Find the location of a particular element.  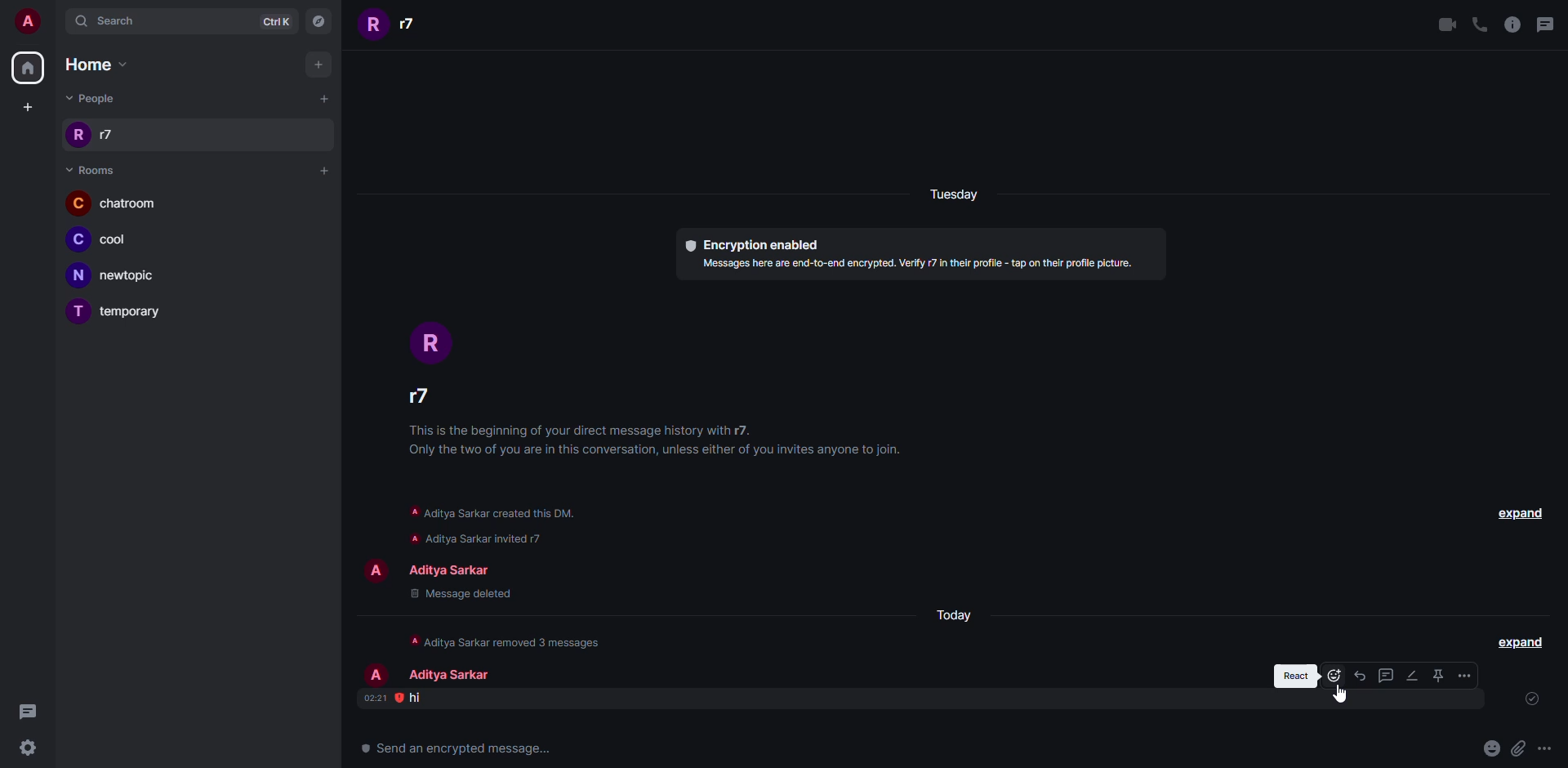

account is located at coordinates (28, 20).